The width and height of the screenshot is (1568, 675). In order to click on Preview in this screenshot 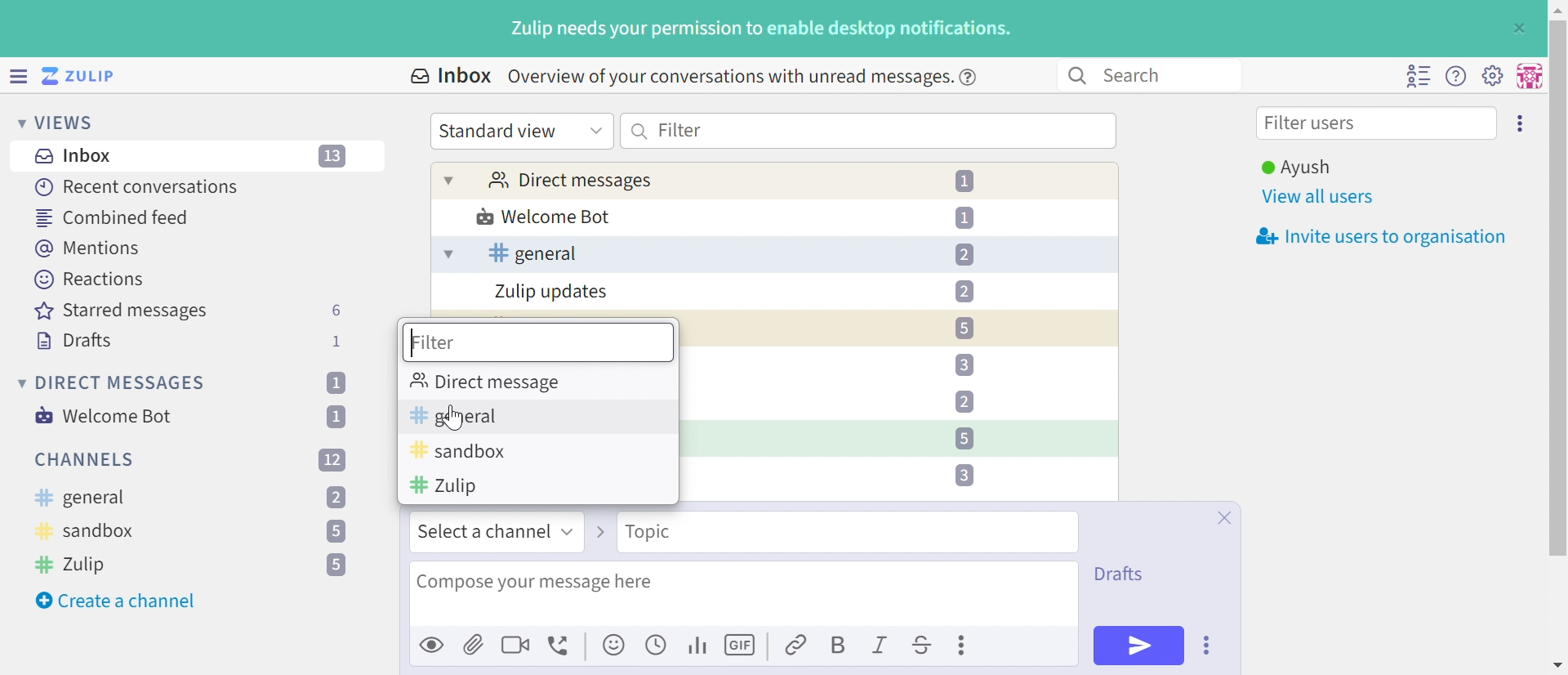, I will do `click(433, 644)`.